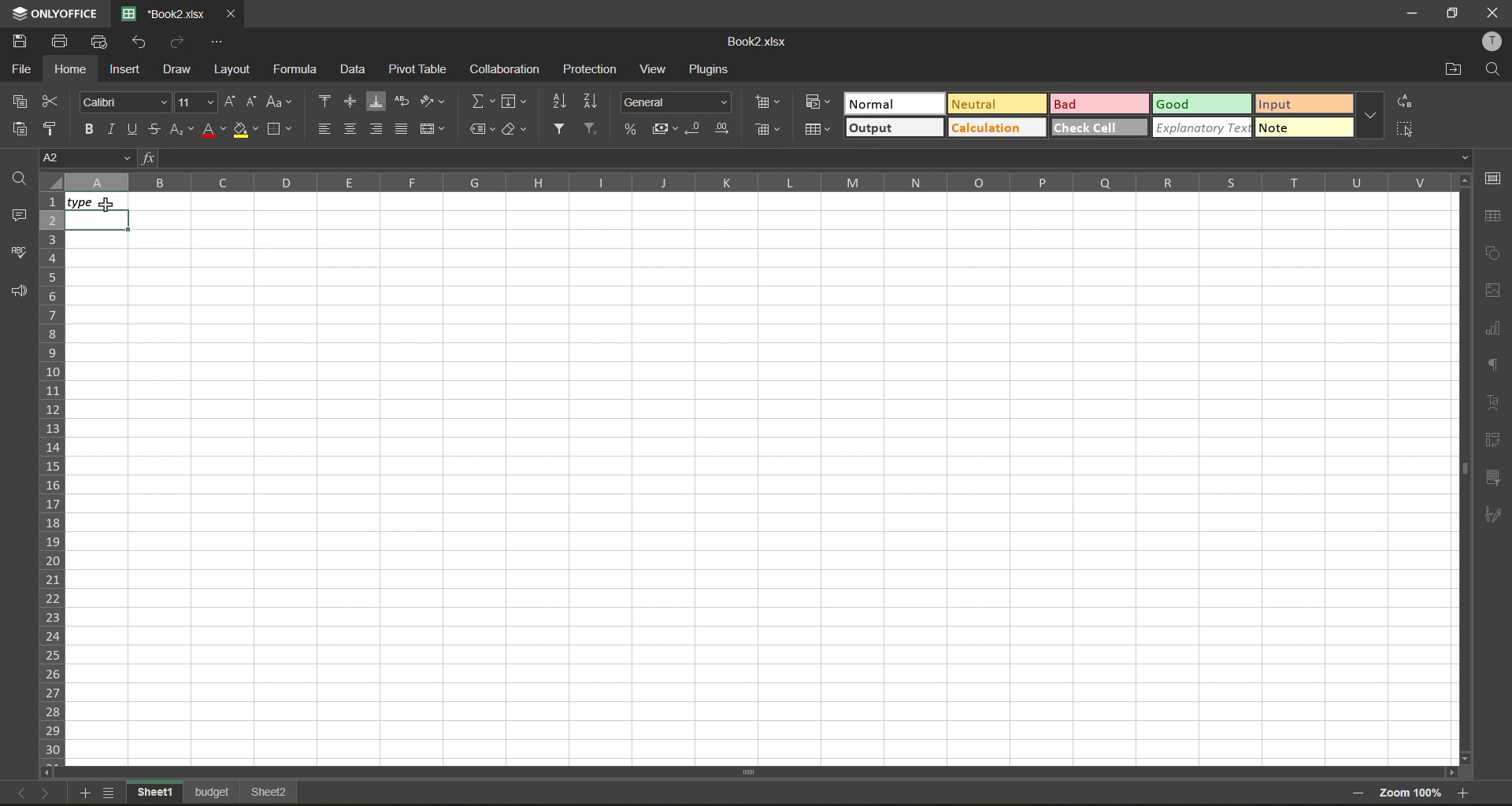  What do you see at coordinates (996, 128) in the screenshot?
I see `calculation` at bounding box center [996, 128].